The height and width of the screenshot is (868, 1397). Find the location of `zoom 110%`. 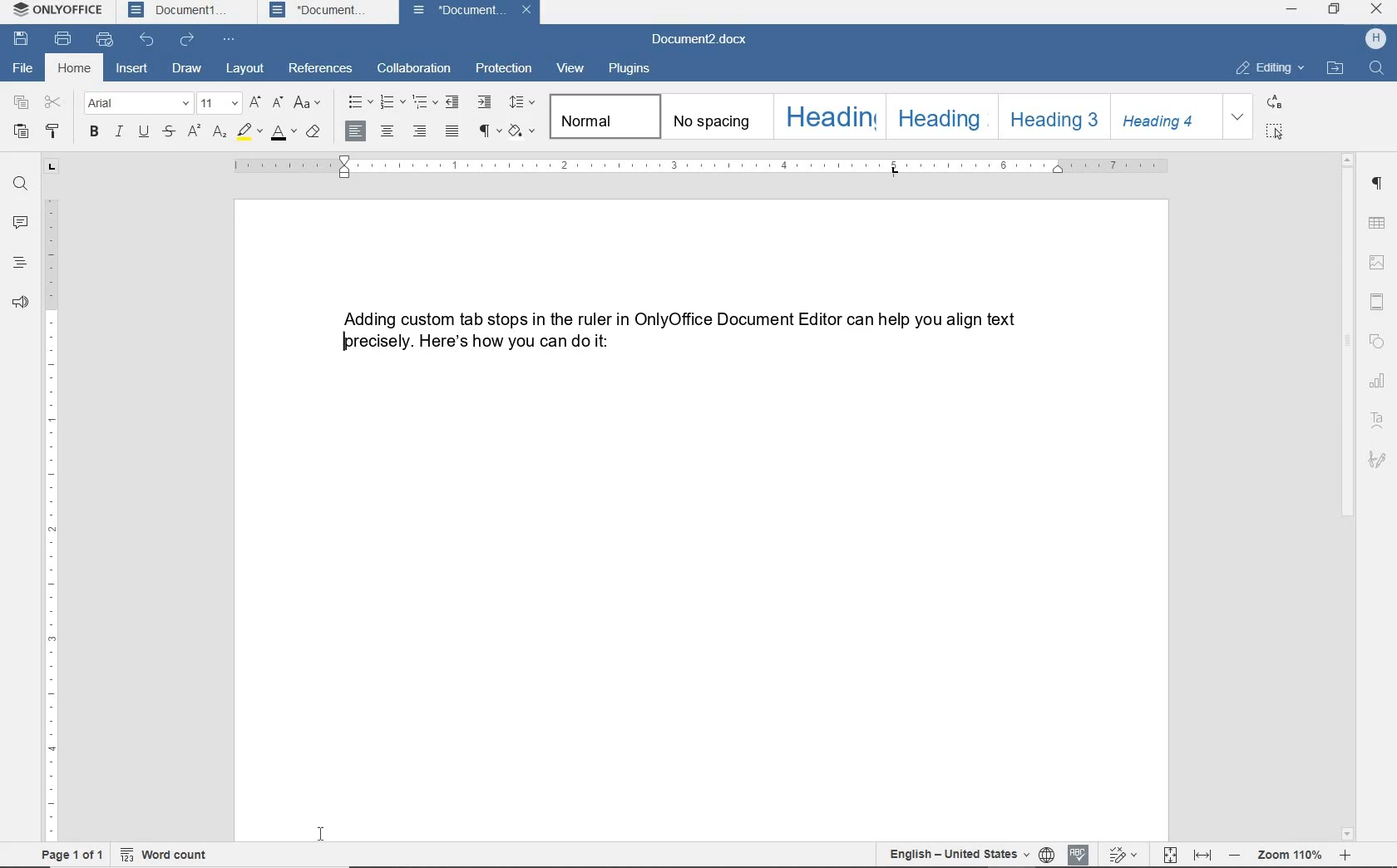

zoom 110% is located at coordinates (1289, 856).